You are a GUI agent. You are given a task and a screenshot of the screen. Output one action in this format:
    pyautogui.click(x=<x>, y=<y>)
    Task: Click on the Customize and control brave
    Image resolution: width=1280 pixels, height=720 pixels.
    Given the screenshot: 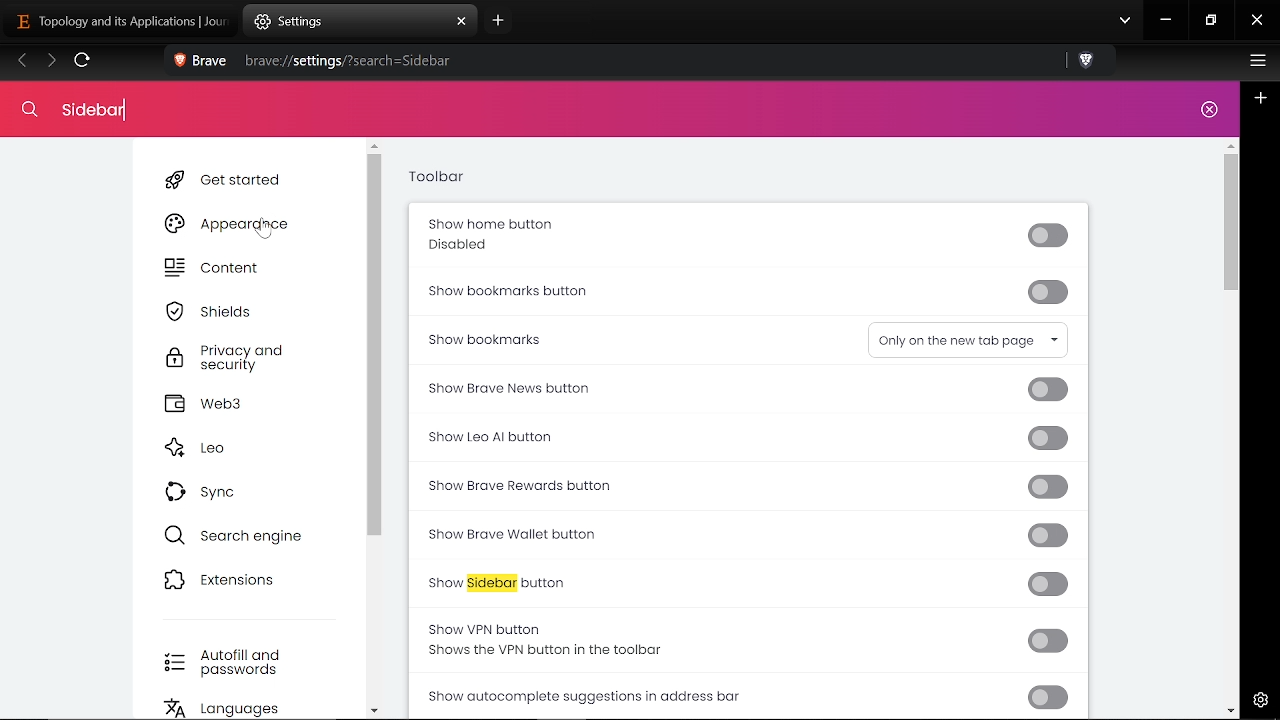 What is the action you would take?
    pyautogui.click(x=1255, y=63)
    